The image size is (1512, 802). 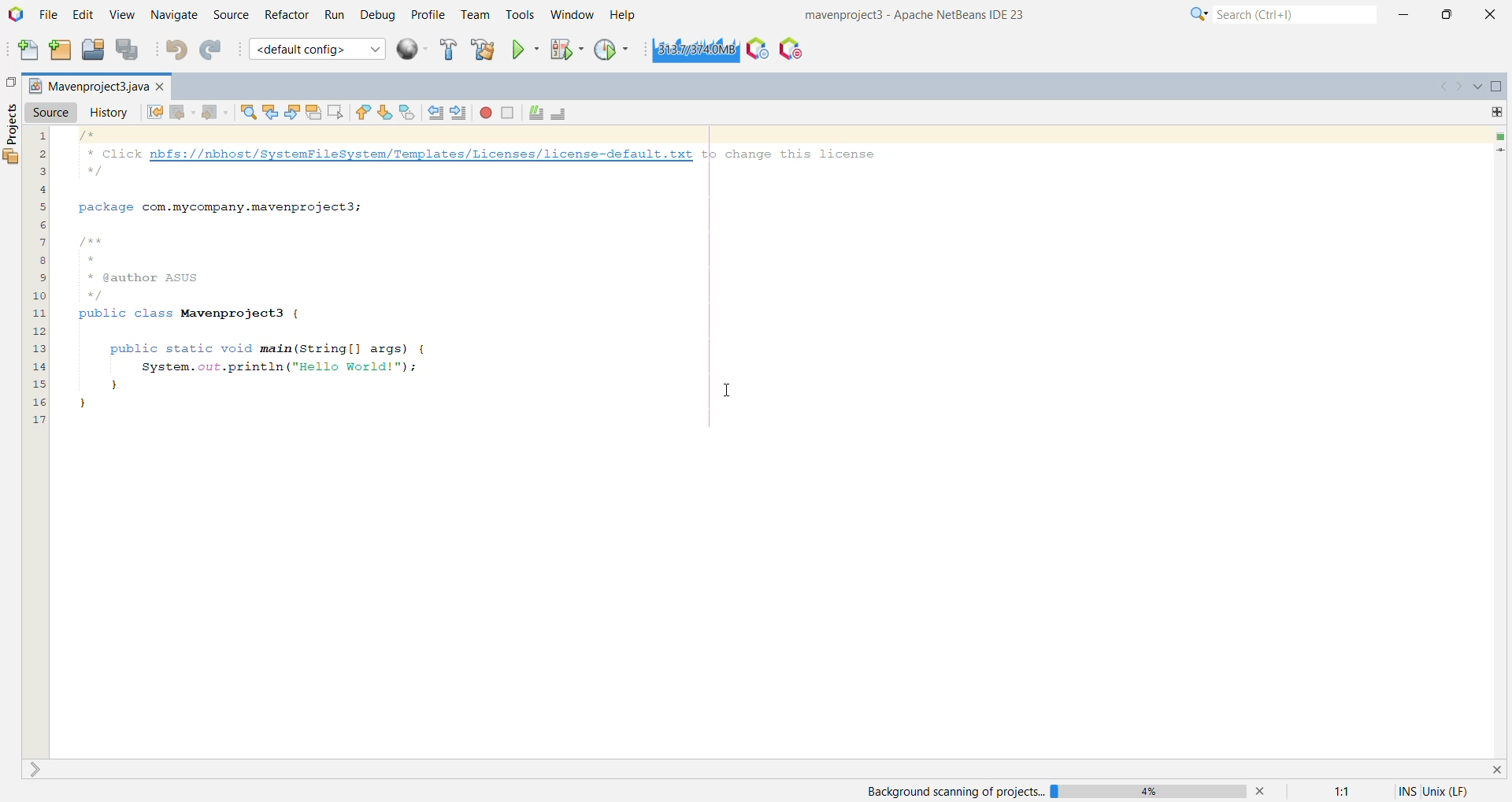 What do you see at coordinates (210, 50) in the screenshot?
I see `Redo` at bounding box center [210, 50].